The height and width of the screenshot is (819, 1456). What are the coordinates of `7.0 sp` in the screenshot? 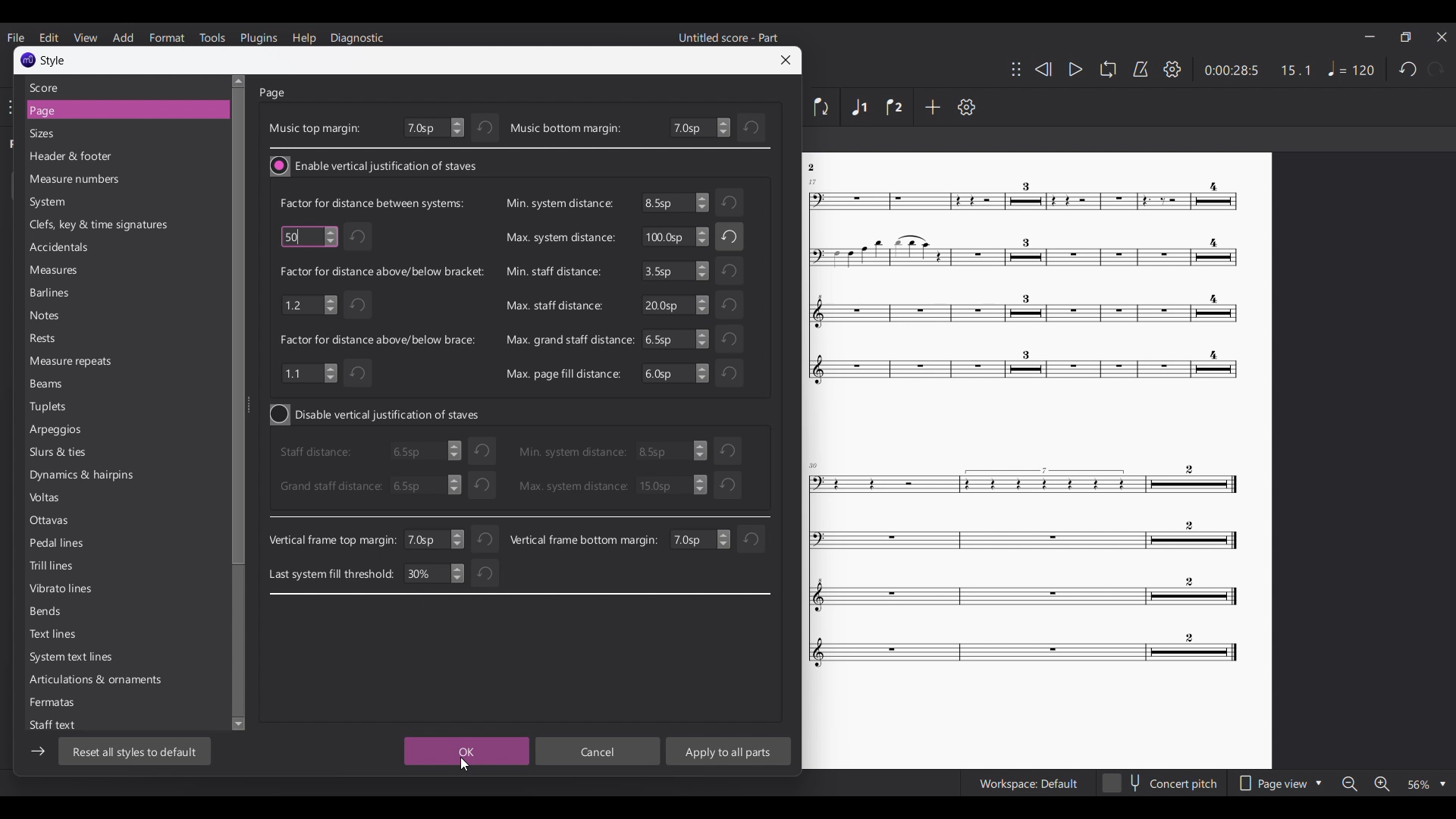 It's located at (435, 539).